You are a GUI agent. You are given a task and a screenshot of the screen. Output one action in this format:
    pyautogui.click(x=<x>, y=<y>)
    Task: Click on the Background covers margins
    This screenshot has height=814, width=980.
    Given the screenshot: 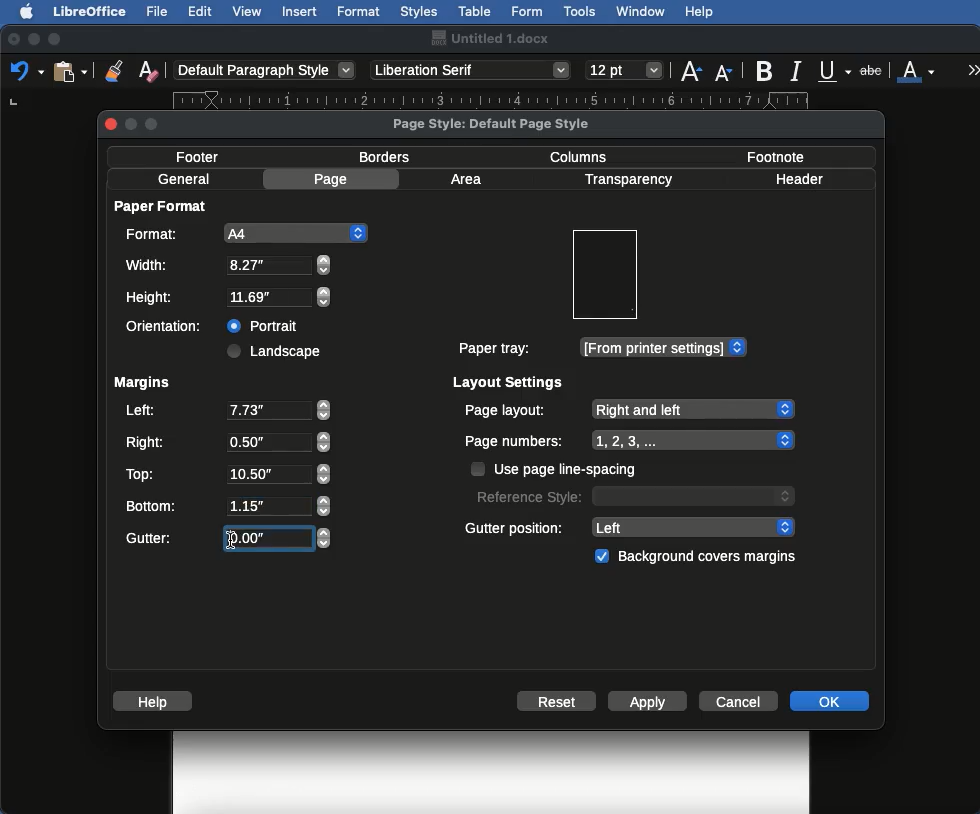 What is the action you would take?
    pyautogui.click(x=699, y=557)
    